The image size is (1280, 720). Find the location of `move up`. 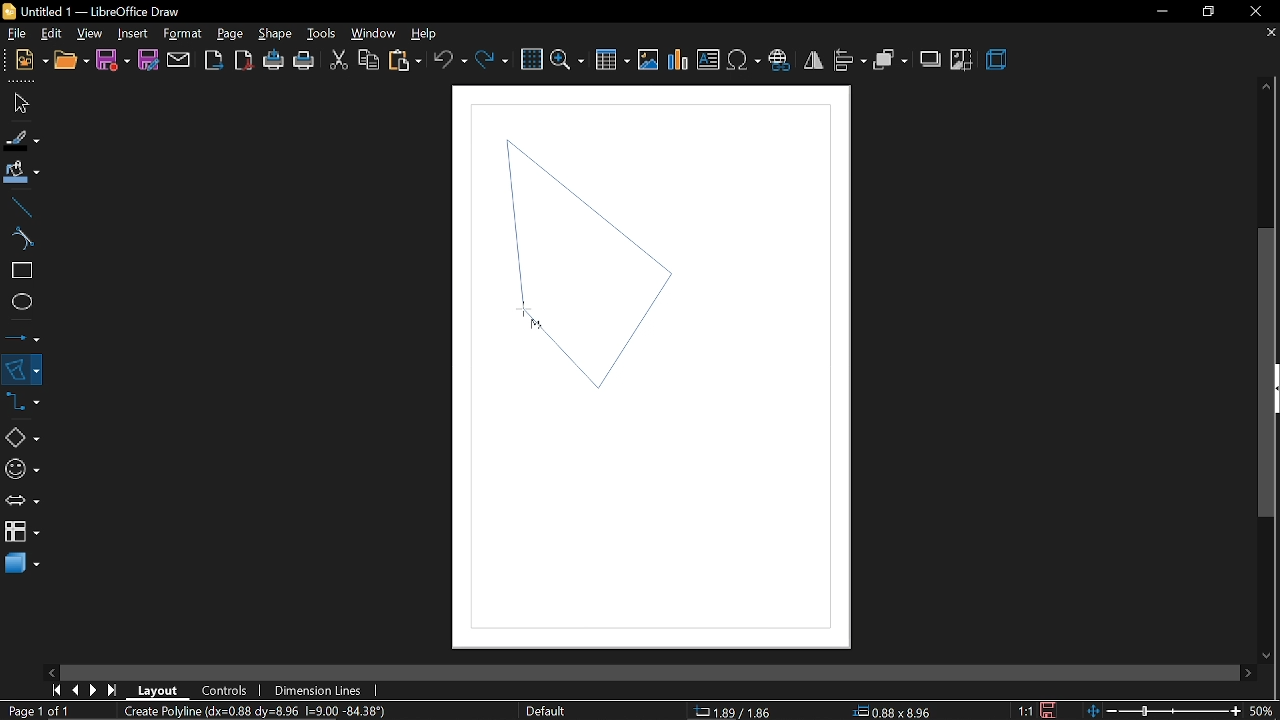

move up is located at coordinates (1267, 87).